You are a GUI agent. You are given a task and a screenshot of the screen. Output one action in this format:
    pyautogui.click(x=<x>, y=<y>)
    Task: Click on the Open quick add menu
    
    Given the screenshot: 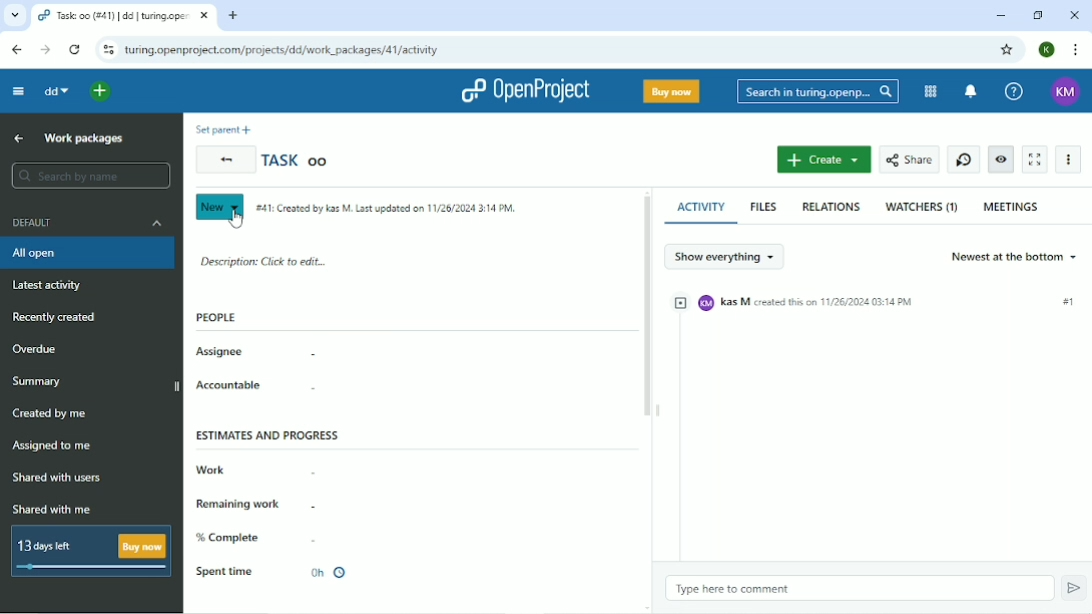 What is the action you would take?
    pyautogui.click(x=100, y=92)
    